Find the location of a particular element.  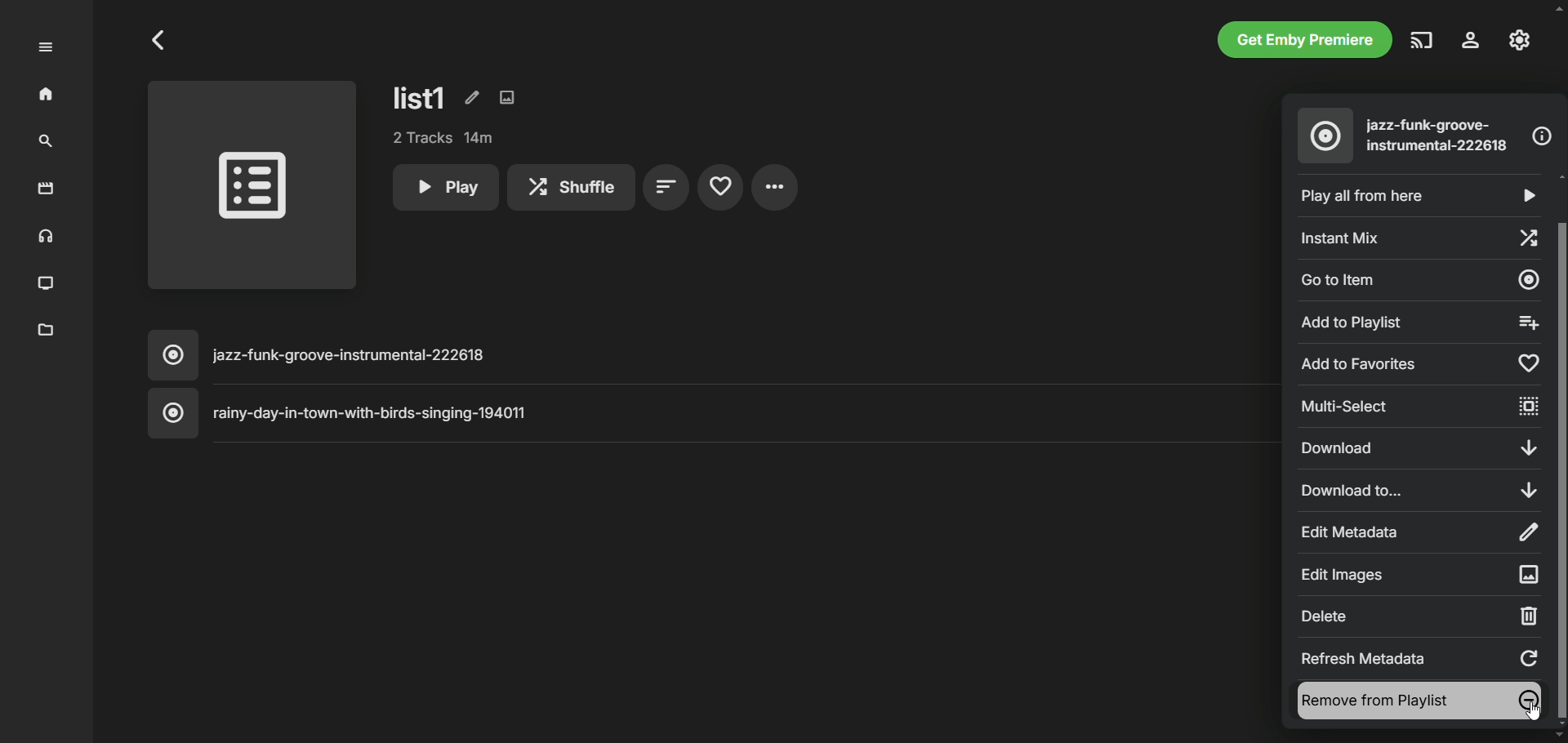

TV shows is located at coordinates (47, 284).